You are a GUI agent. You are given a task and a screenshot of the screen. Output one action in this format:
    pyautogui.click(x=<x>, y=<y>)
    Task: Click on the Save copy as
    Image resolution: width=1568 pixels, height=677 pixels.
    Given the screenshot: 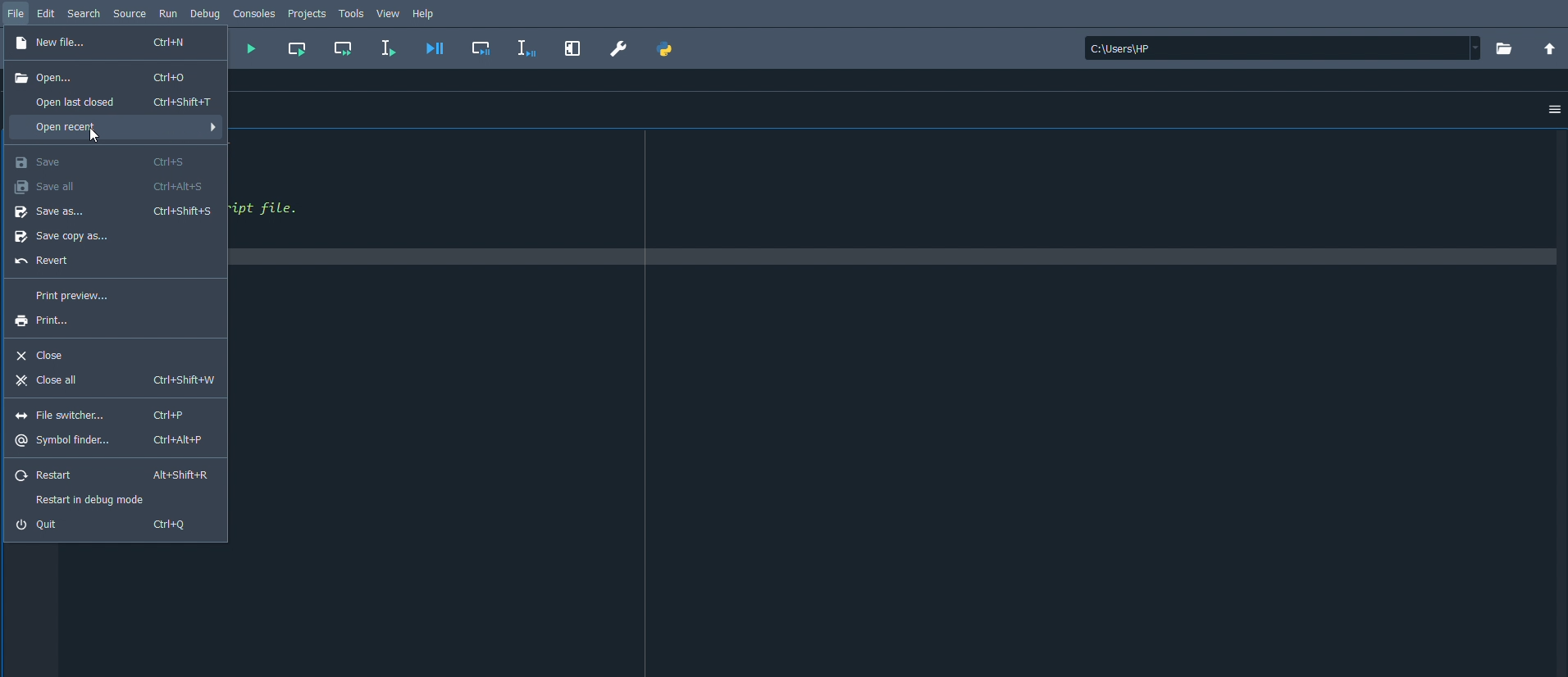 What is the action you would take?
    pyautogui.click(x=71, y=238)
    